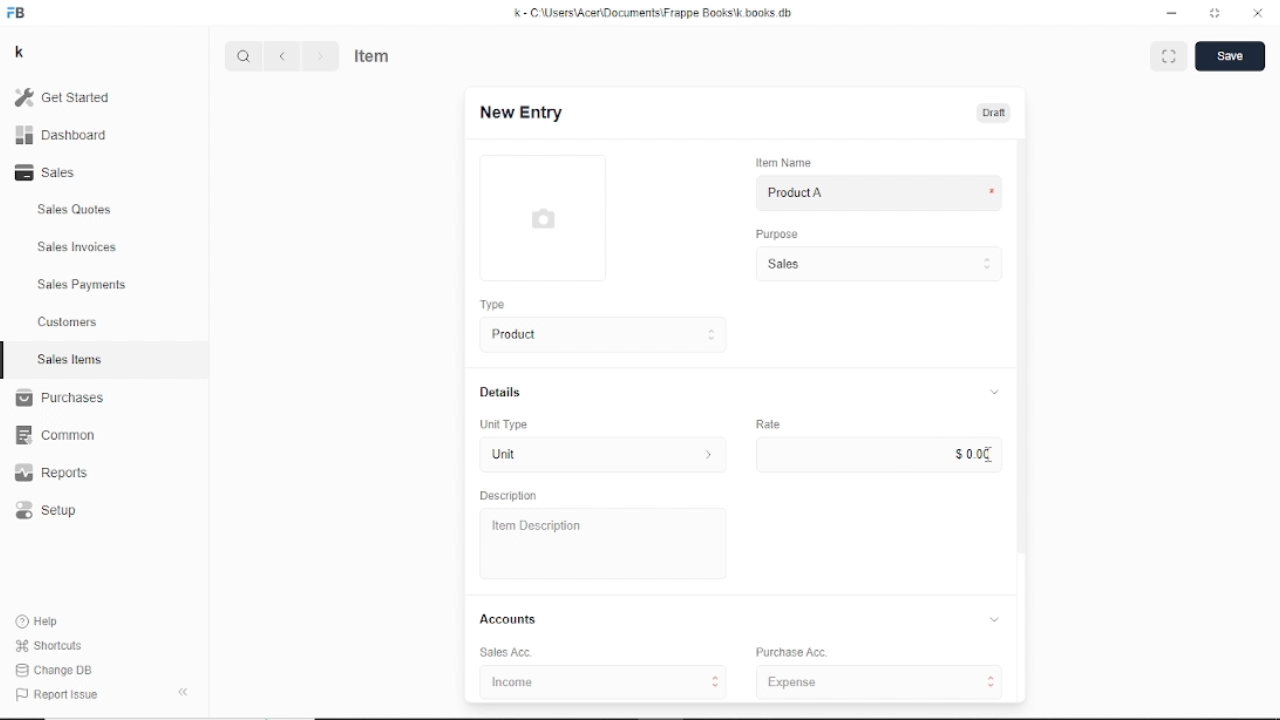 The image size is (1280, 720). I want to click on Vertical scrollbar, so click(1023, 345).